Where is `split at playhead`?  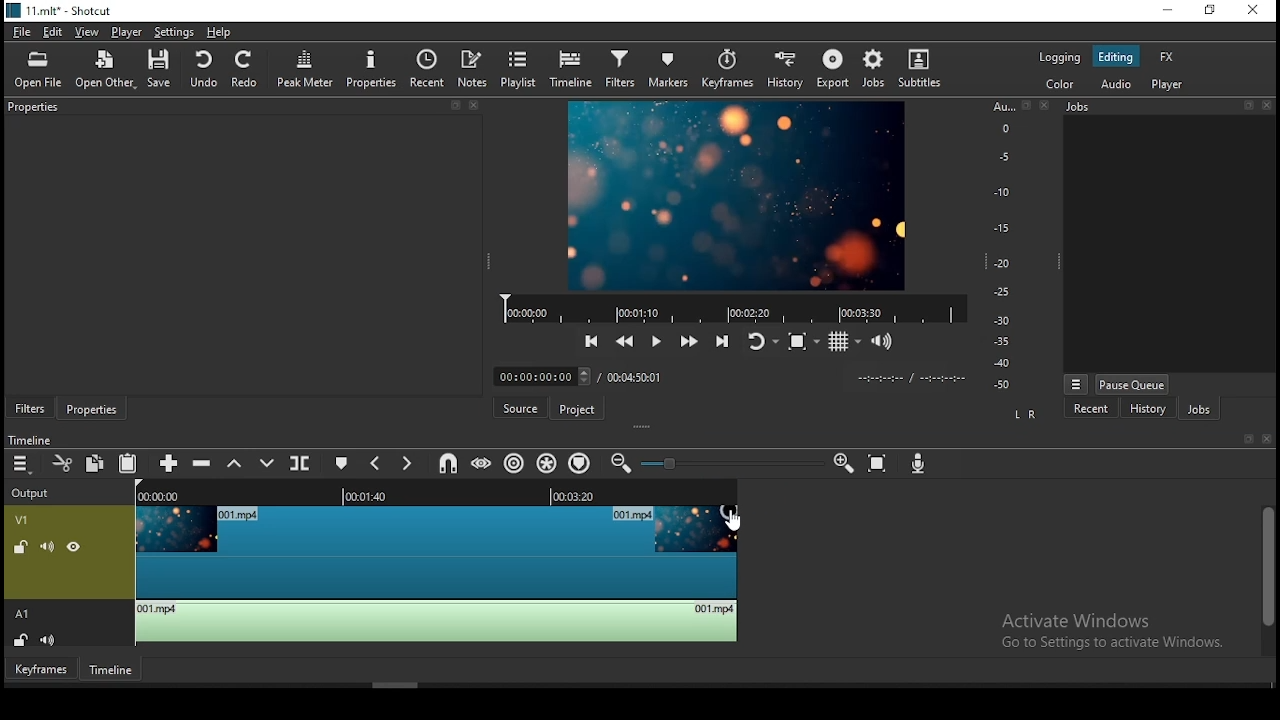
split at playhead is located at coordinates (303, 462).